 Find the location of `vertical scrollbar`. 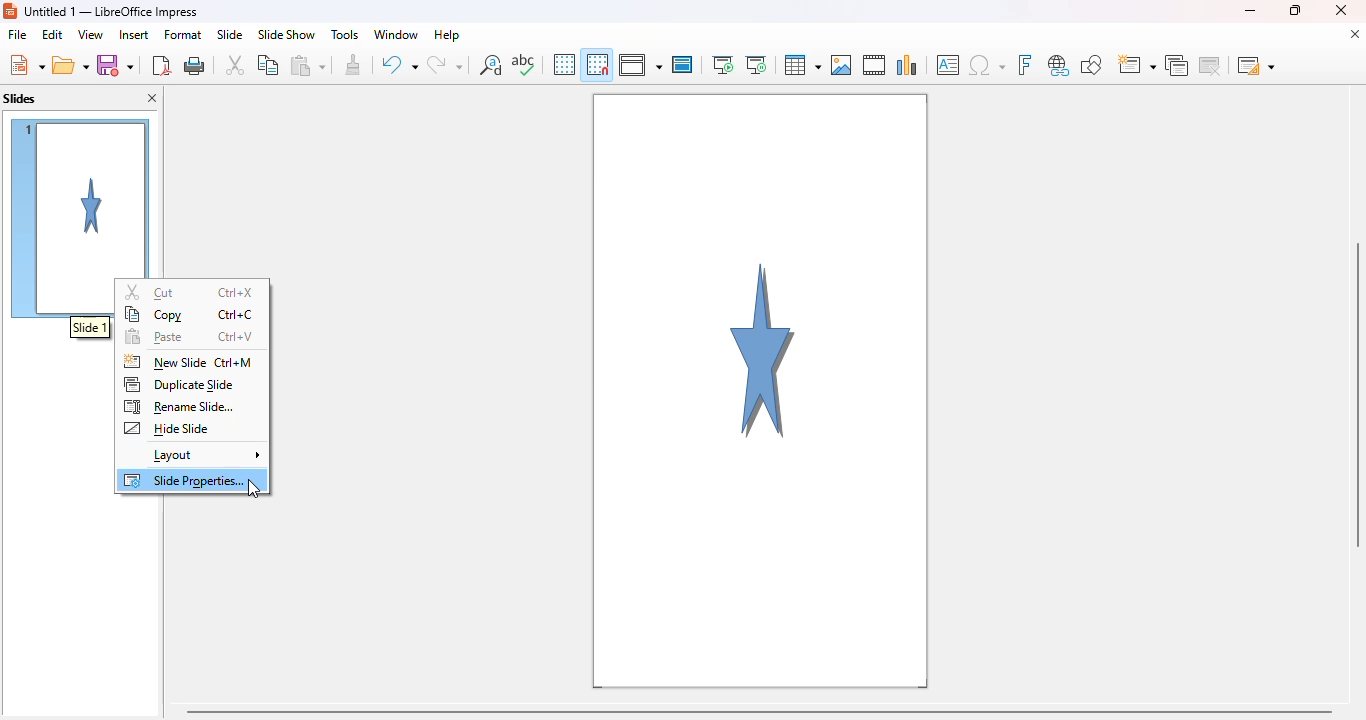

vertical scrollbar is located at coordinates (1357, 394).